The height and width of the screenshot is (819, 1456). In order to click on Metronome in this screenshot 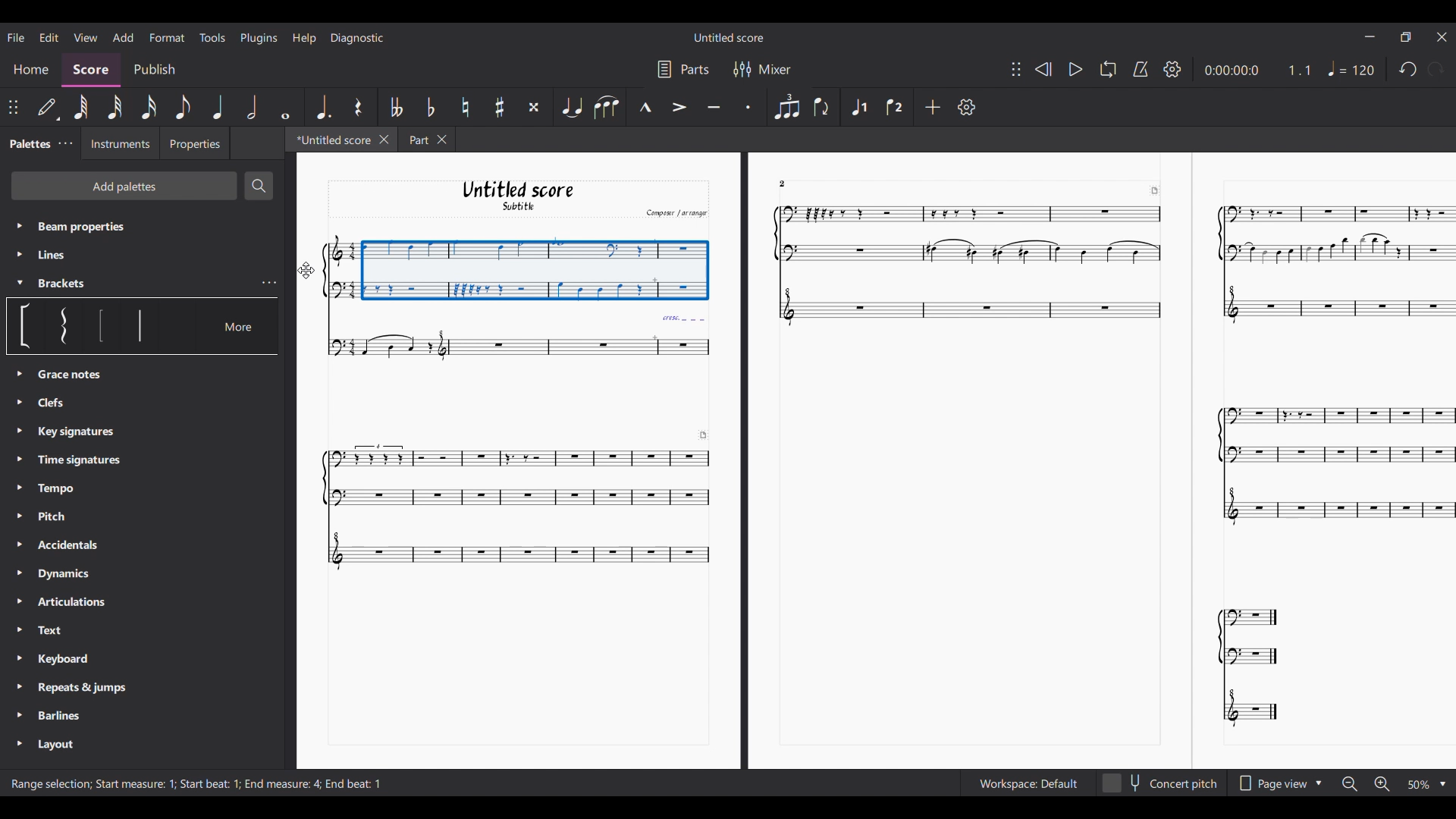, I will do `click(1141, 69)`.